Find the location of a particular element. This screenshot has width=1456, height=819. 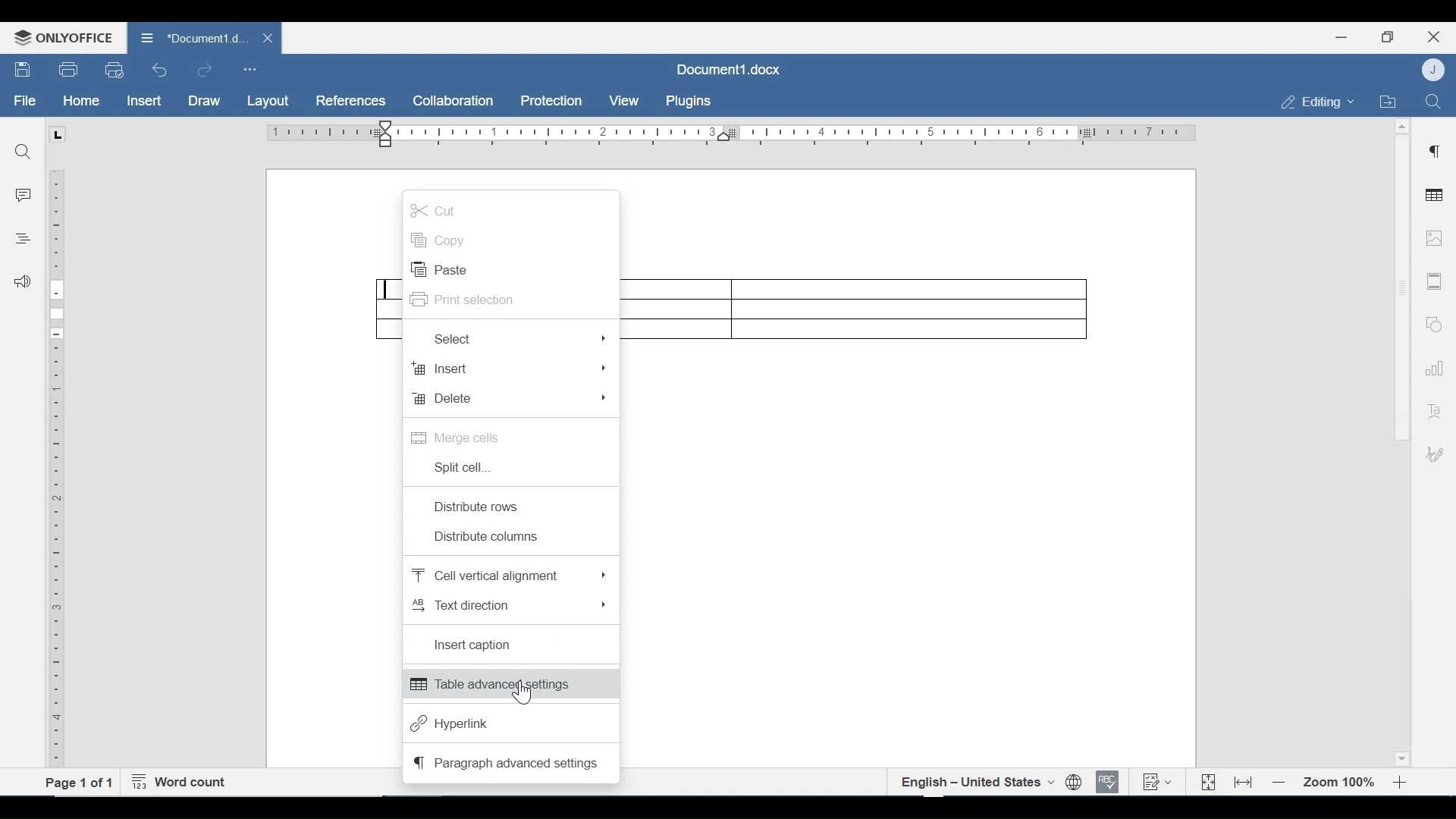

Fit to Page is located at coordinates (1207, 783).